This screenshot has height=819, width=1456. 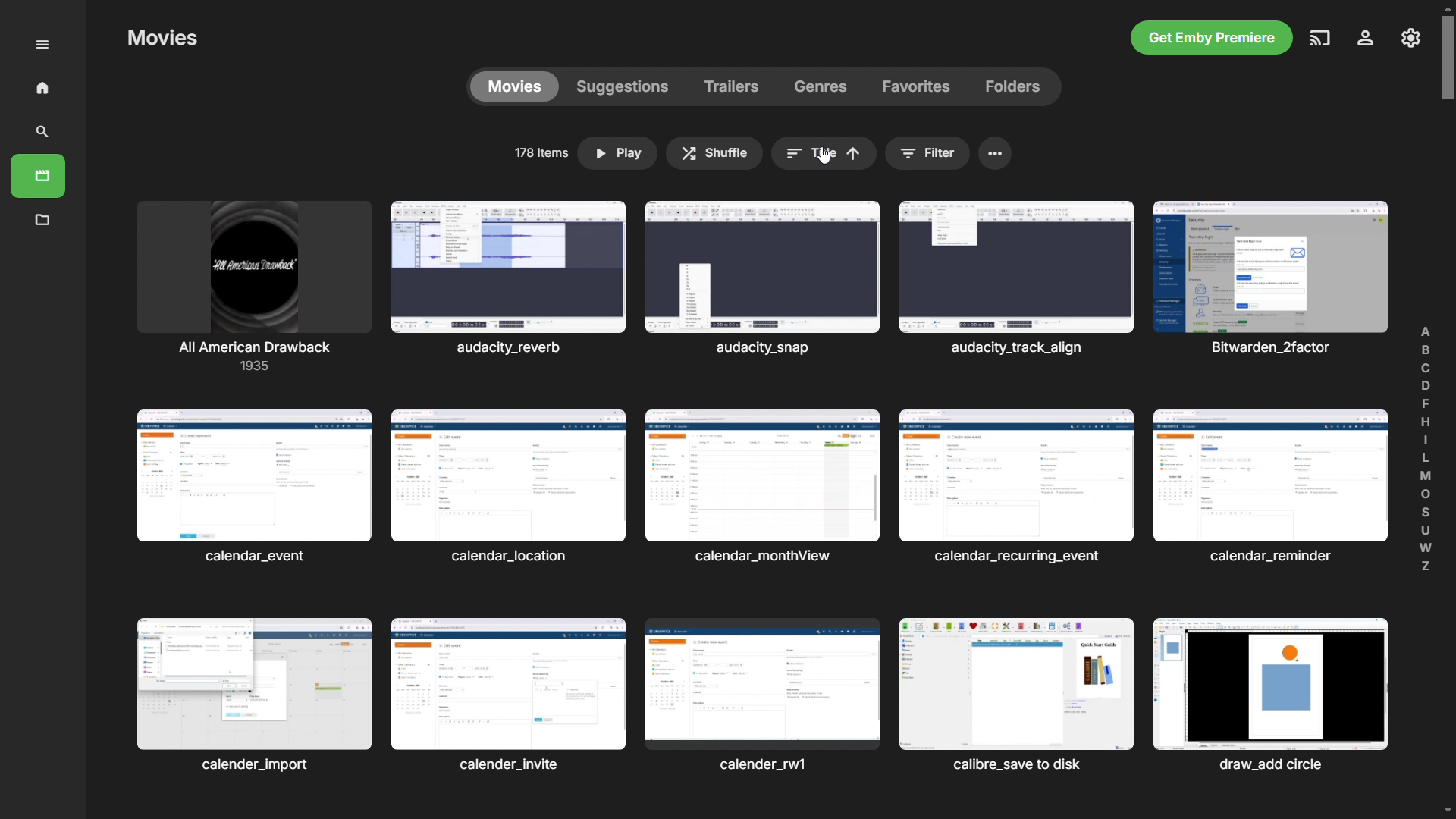 I want to click on play, so click(x=617, y=152).